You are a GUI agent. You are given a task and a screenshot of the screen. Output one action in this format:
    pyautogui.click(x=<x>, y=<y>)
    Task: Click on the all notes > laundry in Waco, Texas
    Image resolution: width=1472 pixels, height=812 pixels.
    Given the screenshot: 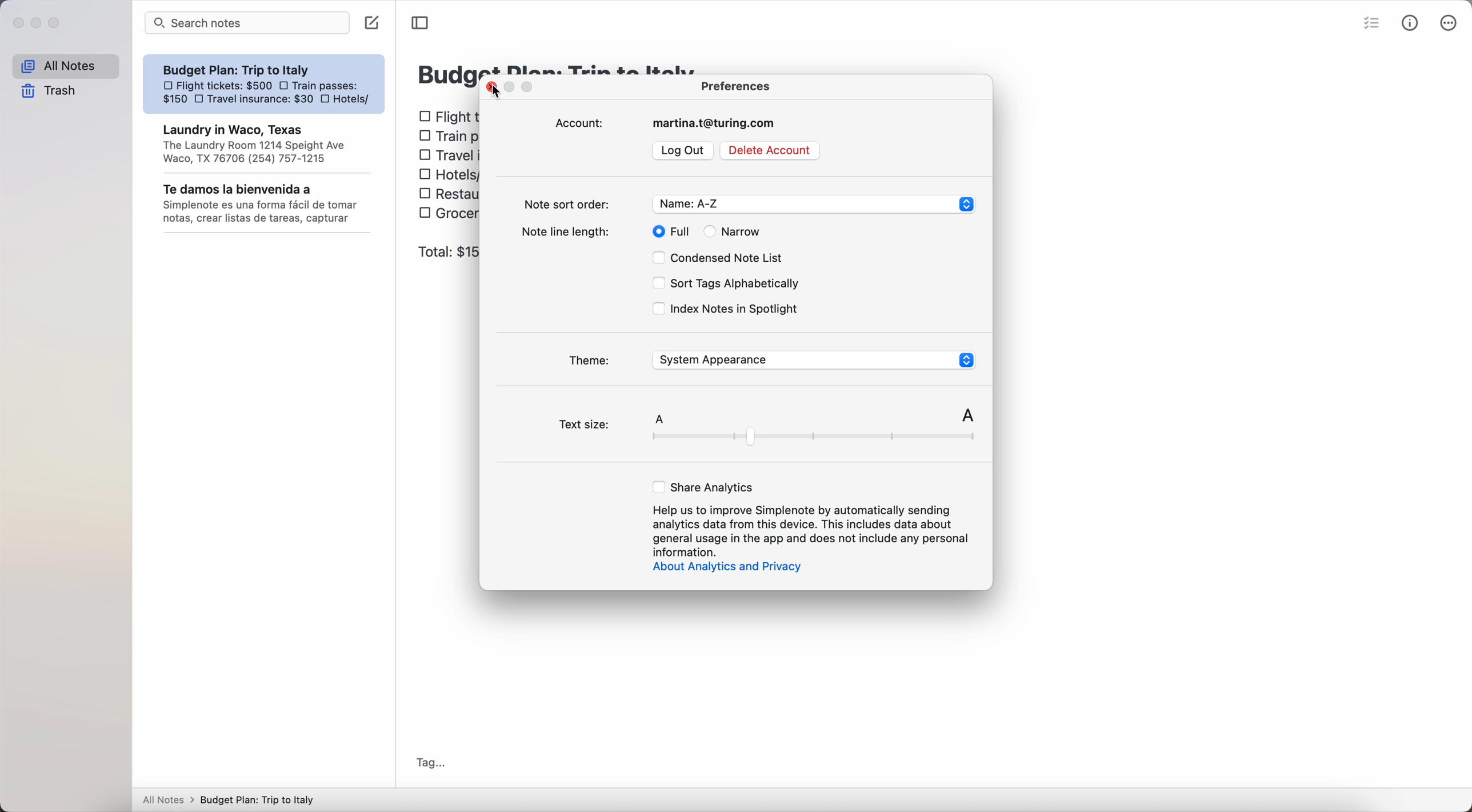 What is the action you would take?
    pyautogui.click(x=232, y=798)
    